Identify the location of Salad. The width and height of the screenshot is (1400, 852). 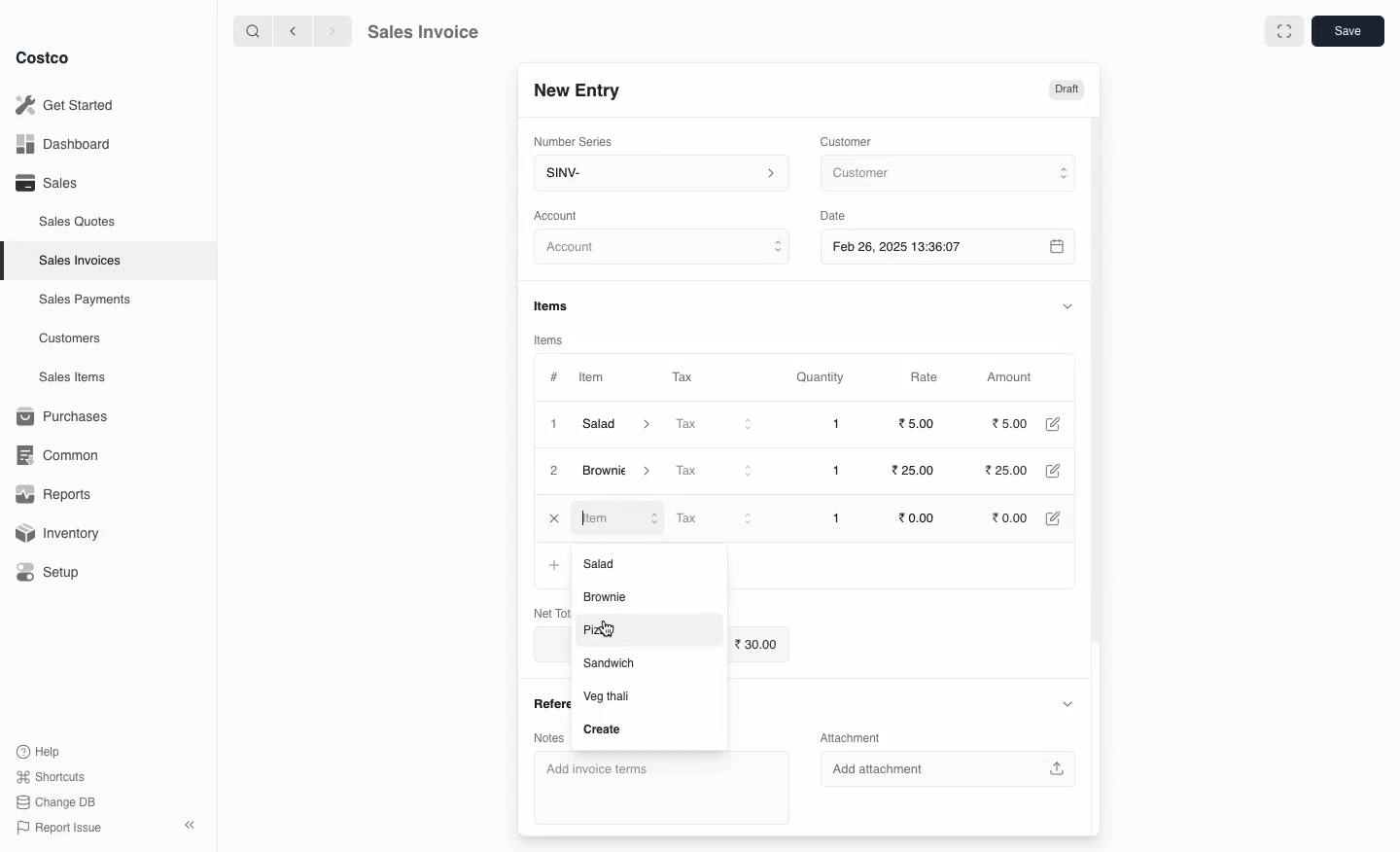
(608, 562).